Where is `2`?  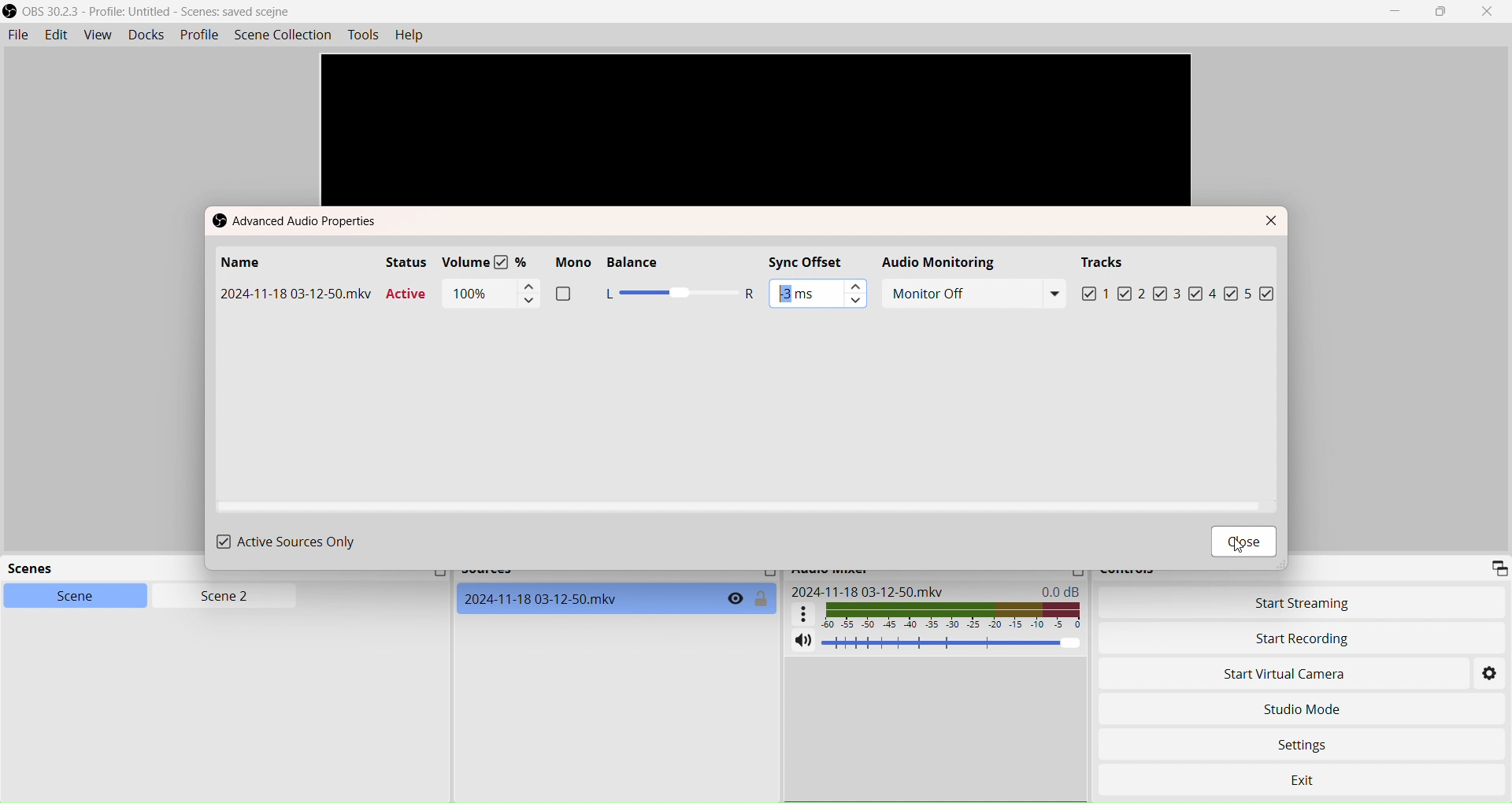
2 is located at coordinates (1151, 295).